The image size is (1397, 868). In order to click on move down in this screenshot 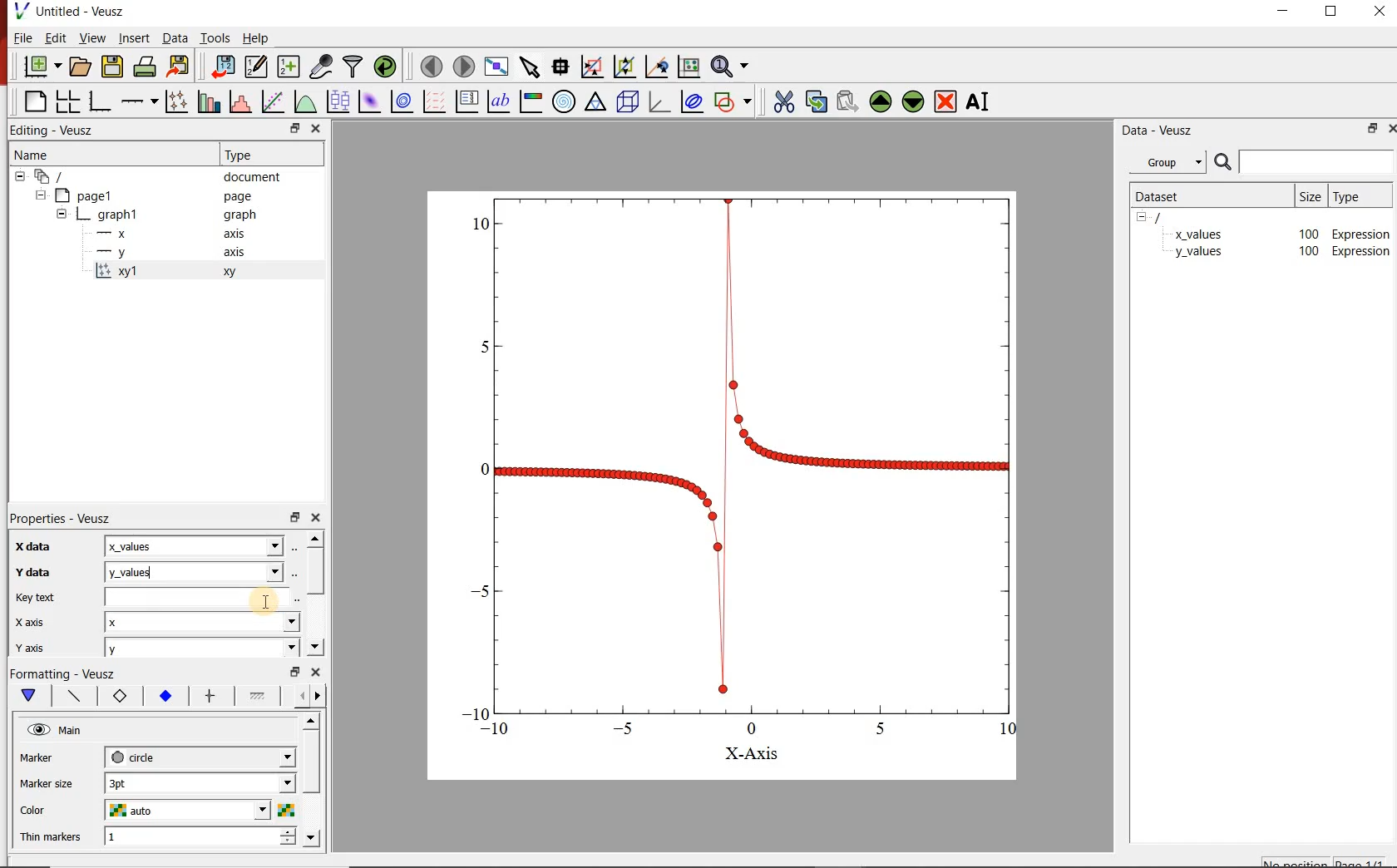, I will do `click(312, 837)`.